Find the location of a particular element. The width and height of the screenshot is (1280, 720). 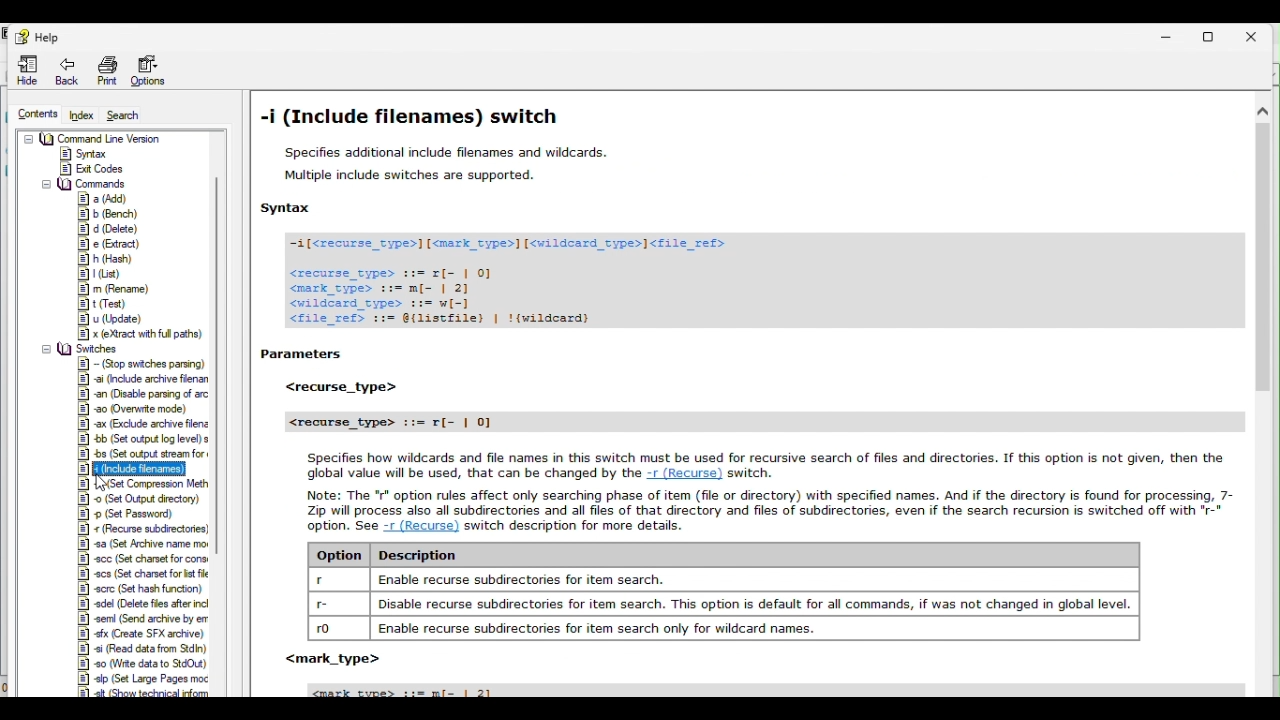

List is located at coordinates (98, 274).